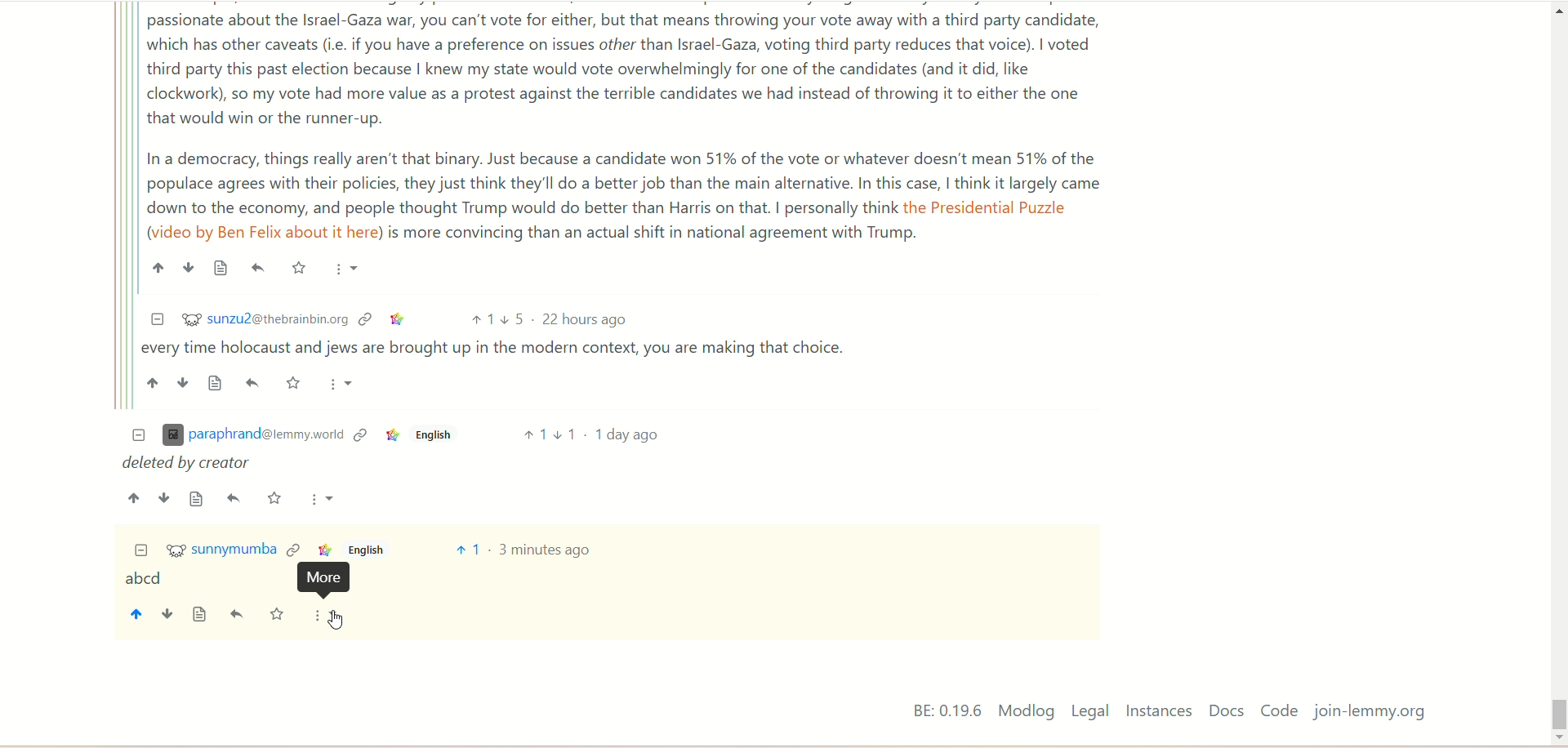 The width and height of the screenshot is (1568, 748). Describe the element at coordinates (222, 551) in the screenshot. I see `%¥ sunnymumba` at that location.